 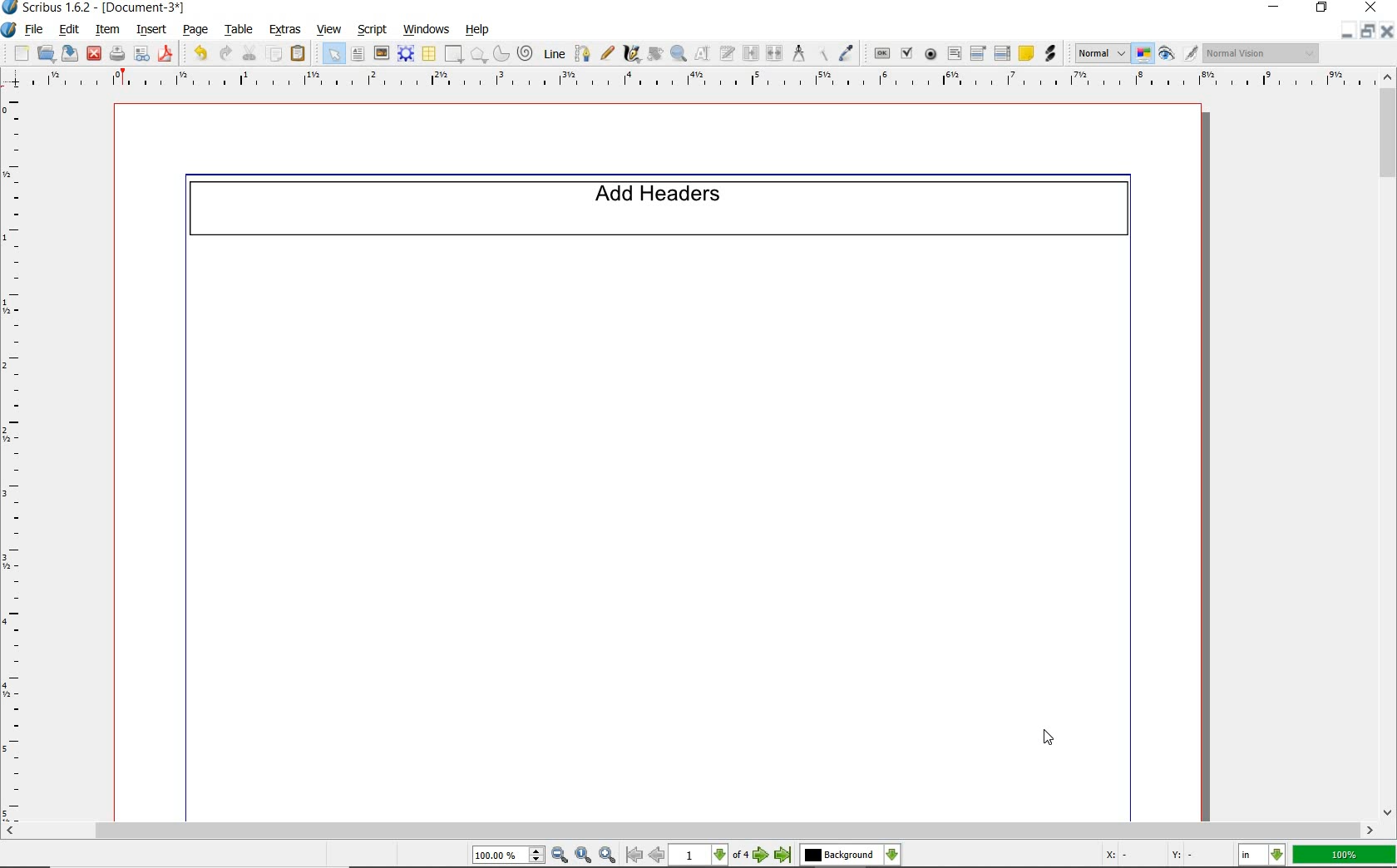 I want to click on cursor, so click(x=1049, y=739).